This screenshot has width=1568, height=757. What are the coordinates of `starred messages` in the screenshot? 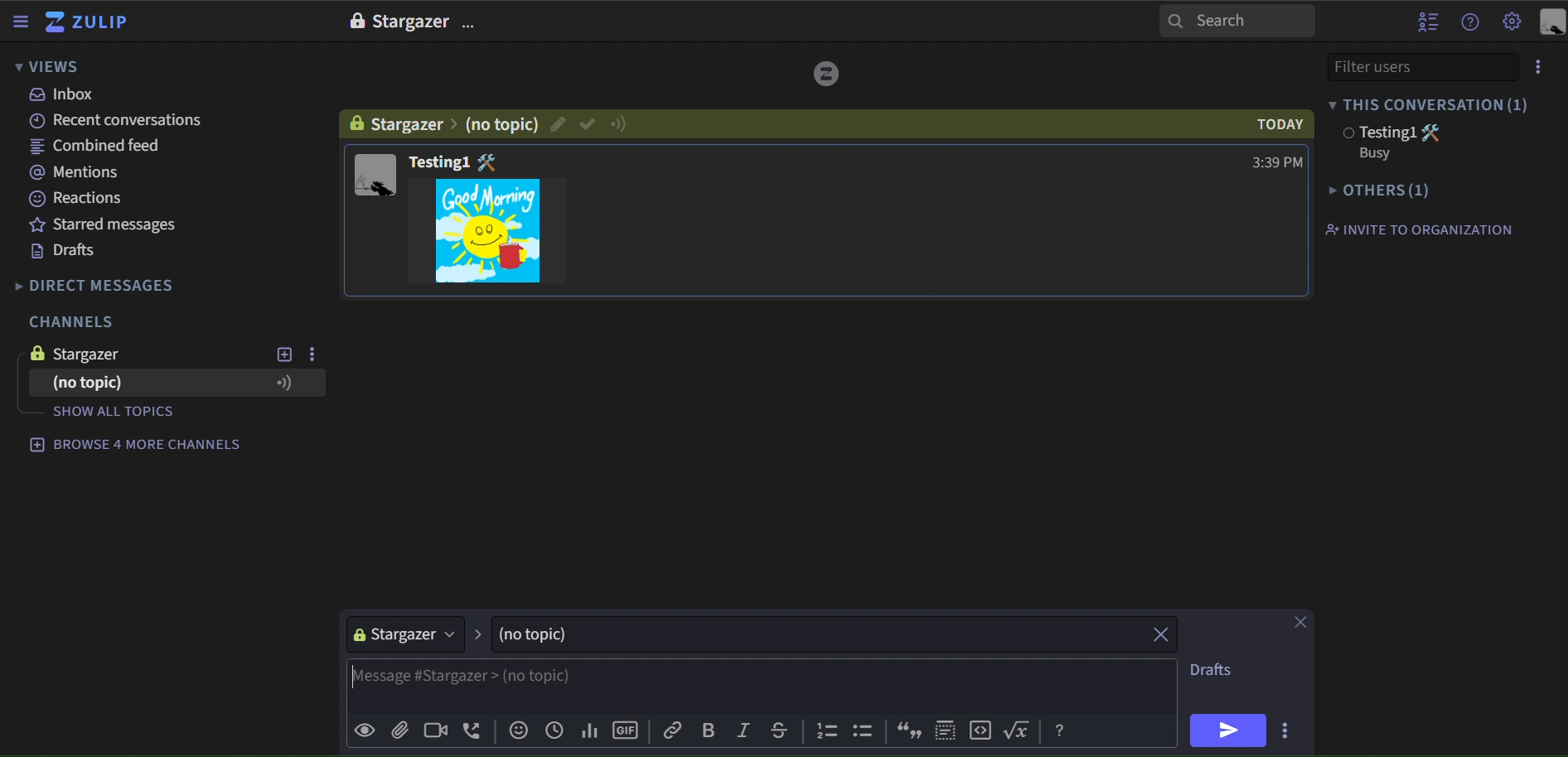 It's located at (105, 224).